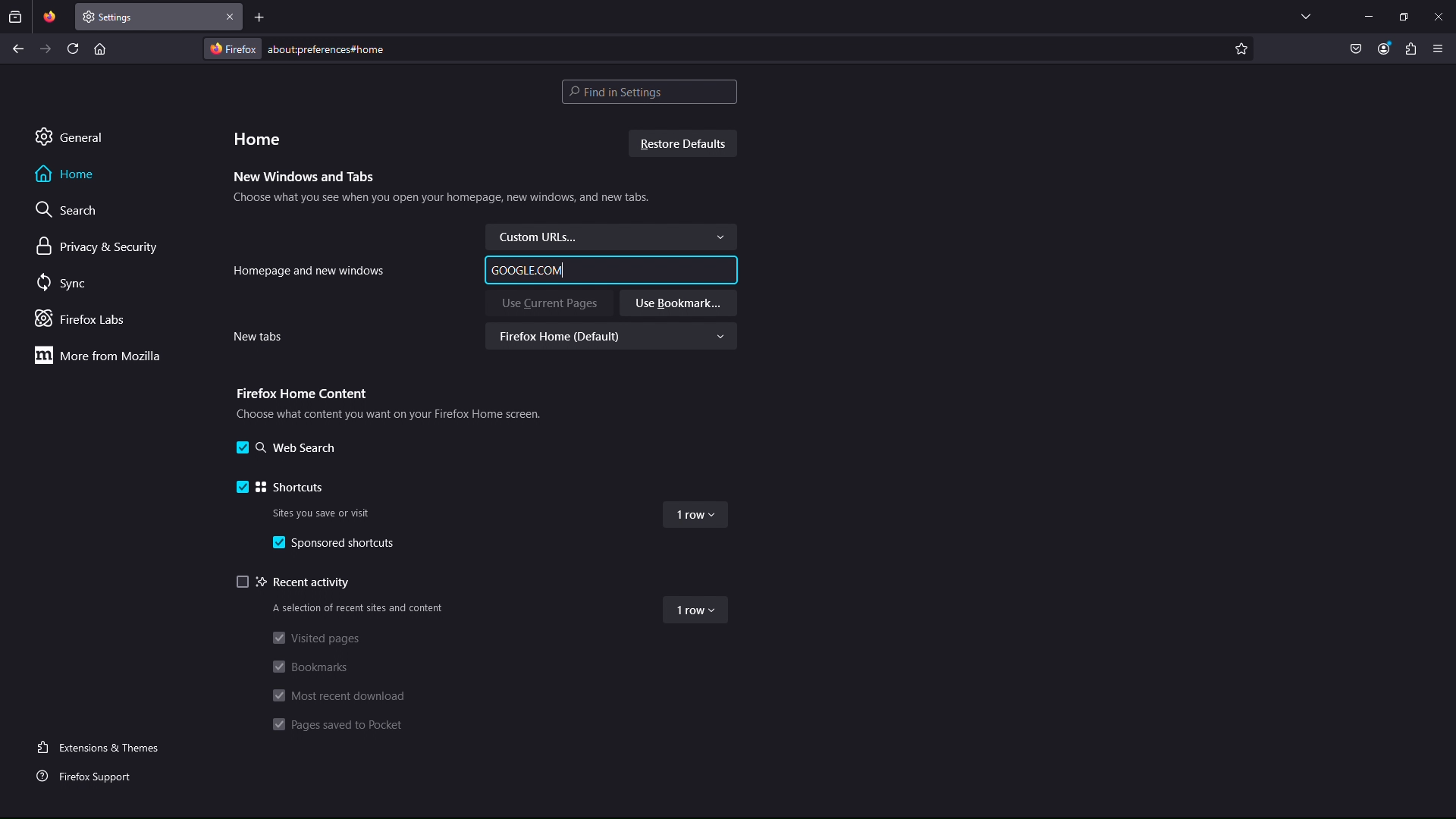 This screenshot has width=1456, height=819. I want to click on Plugin, so click(1411, 50).